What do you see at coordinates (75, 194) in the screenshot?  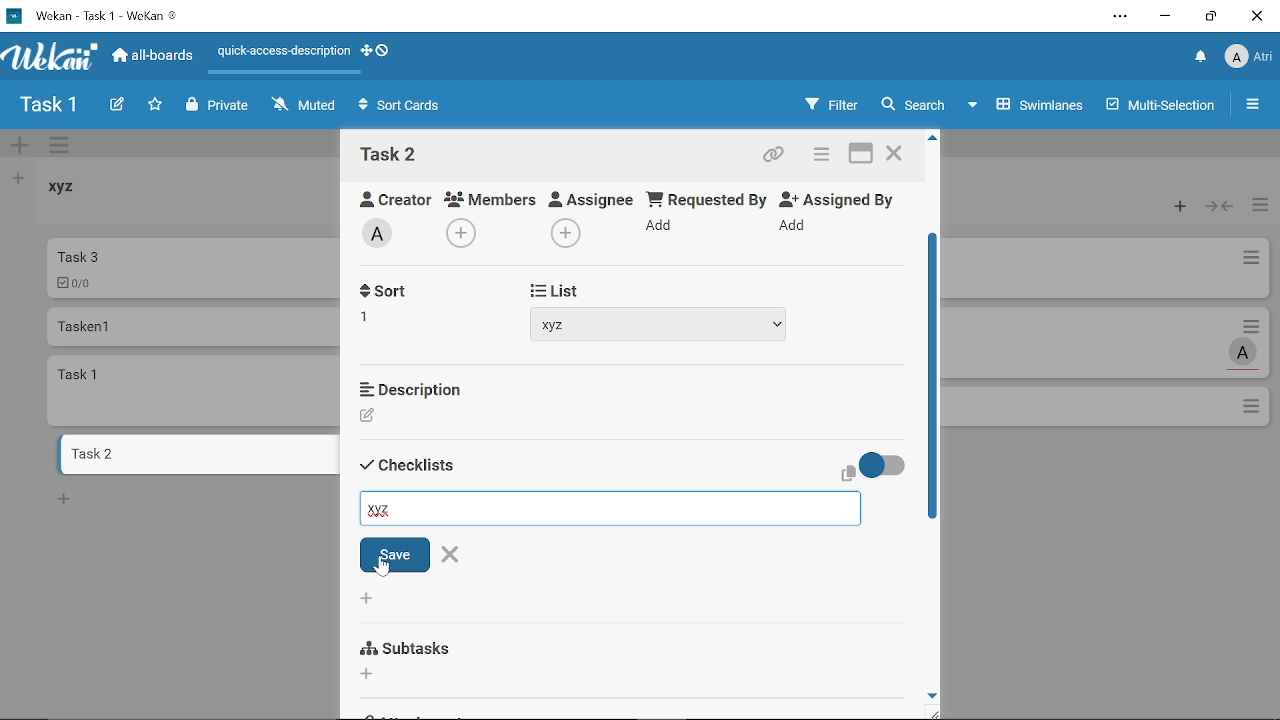 I see `List named "xyz"` at bounding box center [75, 194].